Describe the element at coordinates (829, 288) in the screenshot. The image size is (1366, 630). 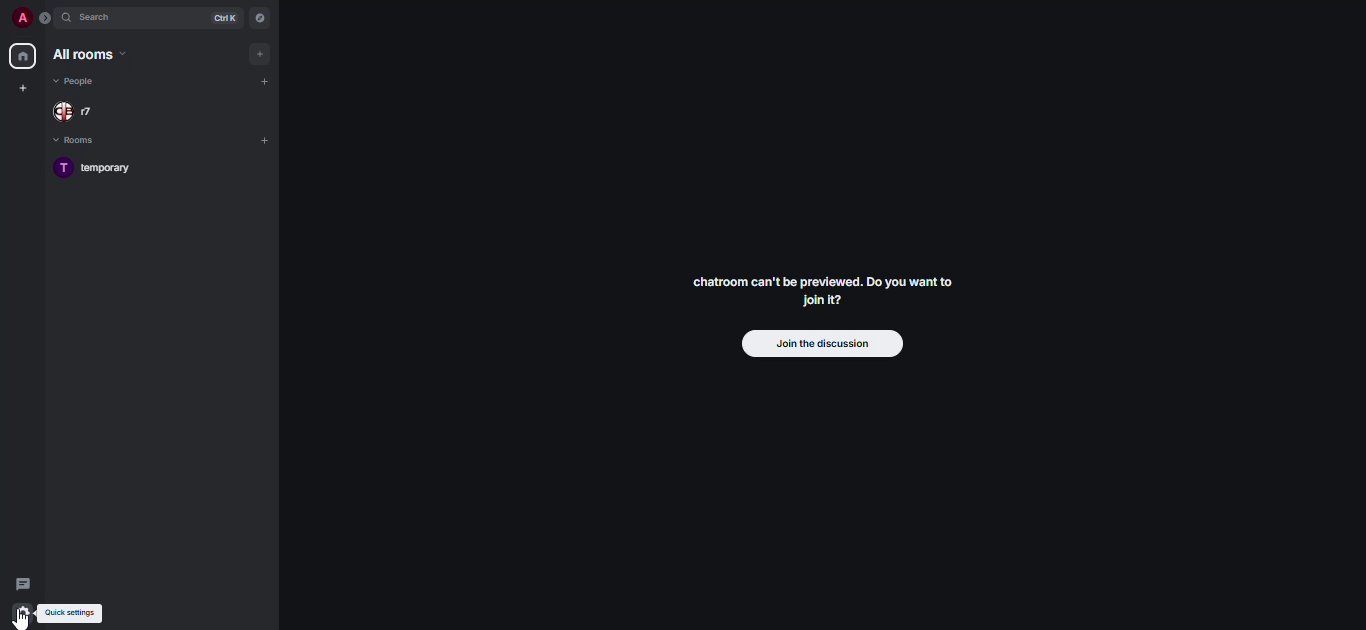
I see `chatroom can't be previewed. Join it?` at that location.